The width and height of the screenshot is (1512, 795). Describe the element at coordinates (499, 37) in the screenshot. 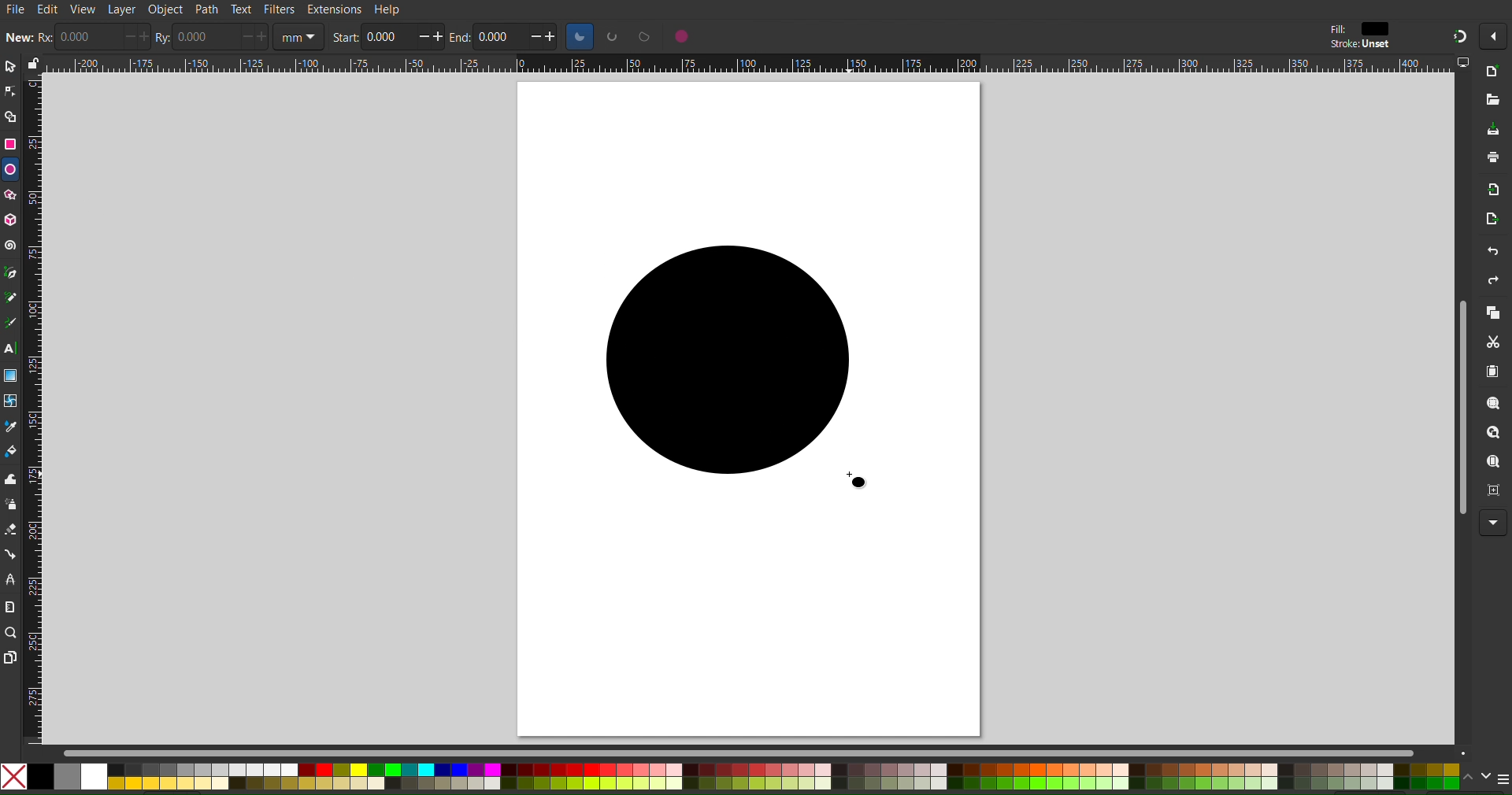

I see `0` at that location.